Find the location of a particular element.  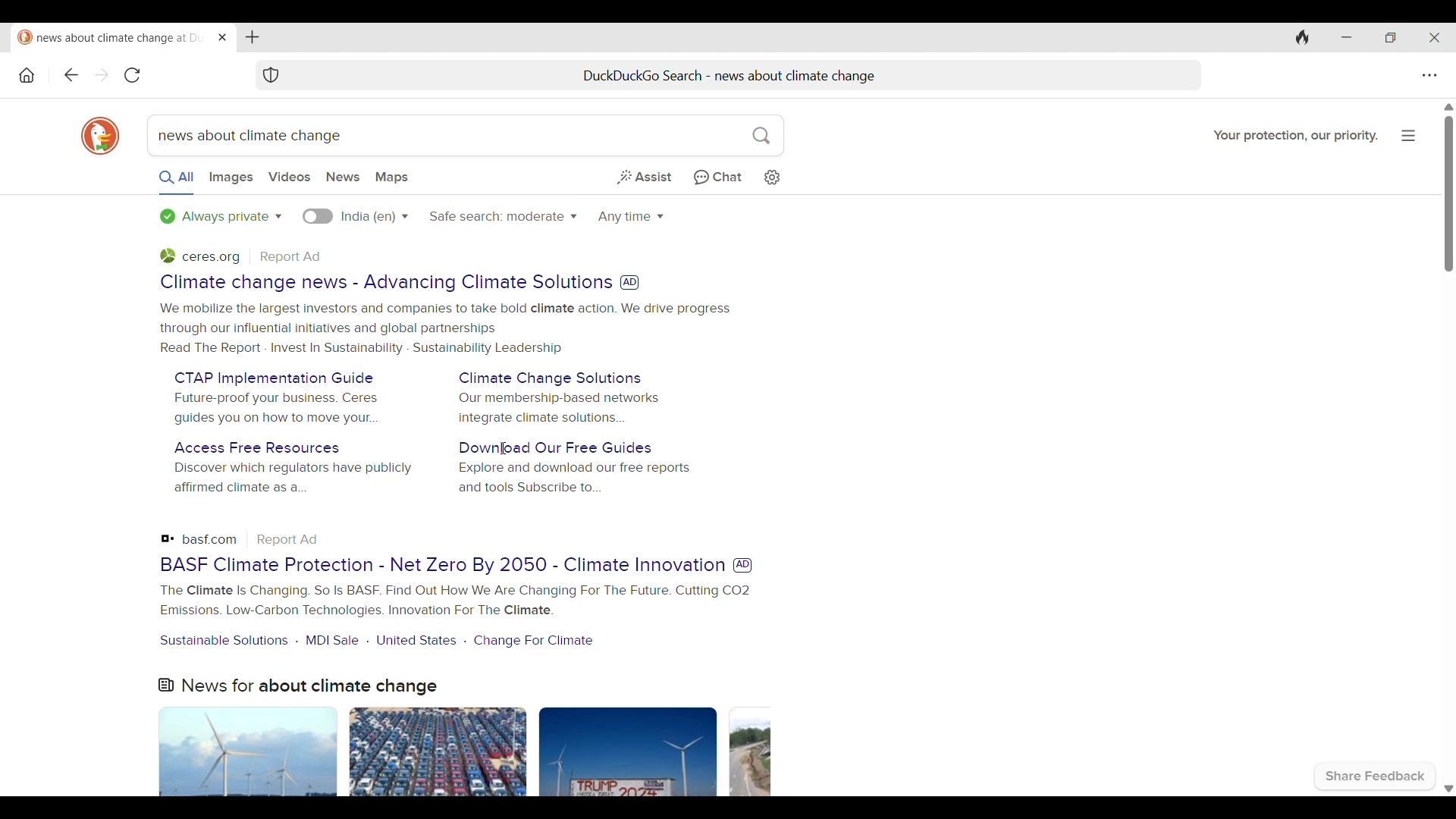

Share feedback is located at coordinates (1376, 777).